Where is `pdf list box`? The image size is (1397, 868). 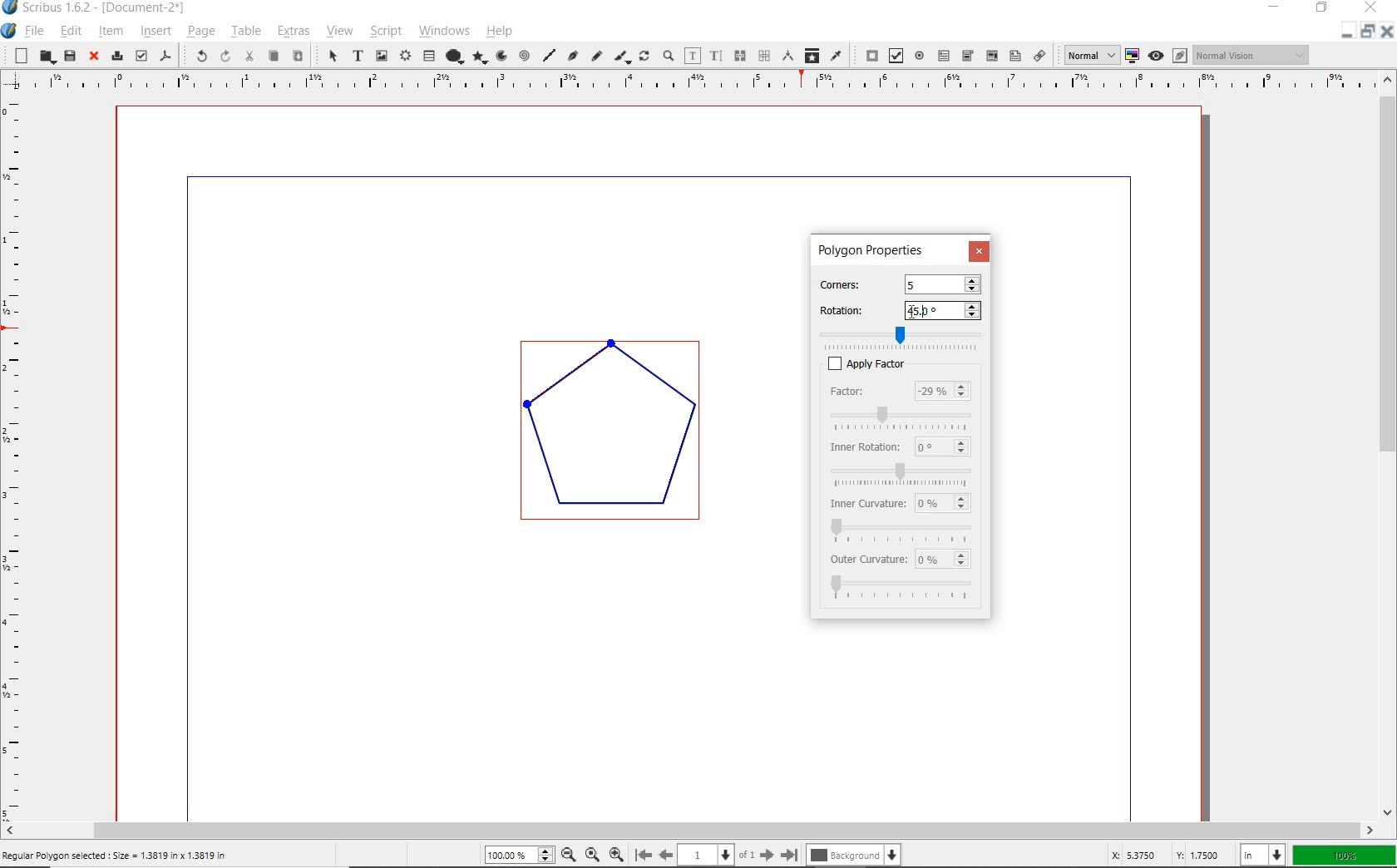 pdf list box is located at coordinates (1015, 57).